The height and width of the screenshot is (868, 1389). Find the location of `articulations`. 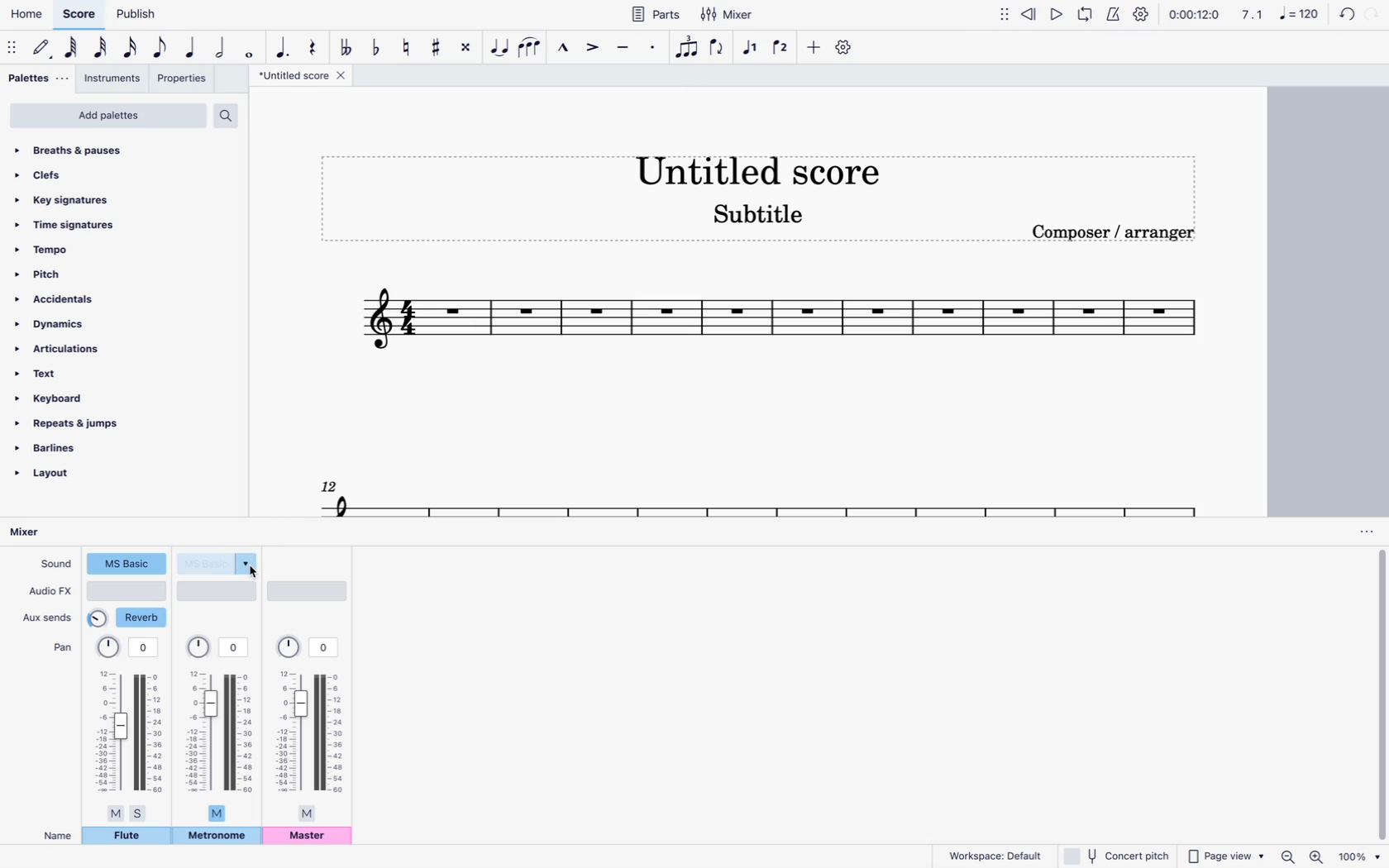

articulations is located at coordinates (80, 349).